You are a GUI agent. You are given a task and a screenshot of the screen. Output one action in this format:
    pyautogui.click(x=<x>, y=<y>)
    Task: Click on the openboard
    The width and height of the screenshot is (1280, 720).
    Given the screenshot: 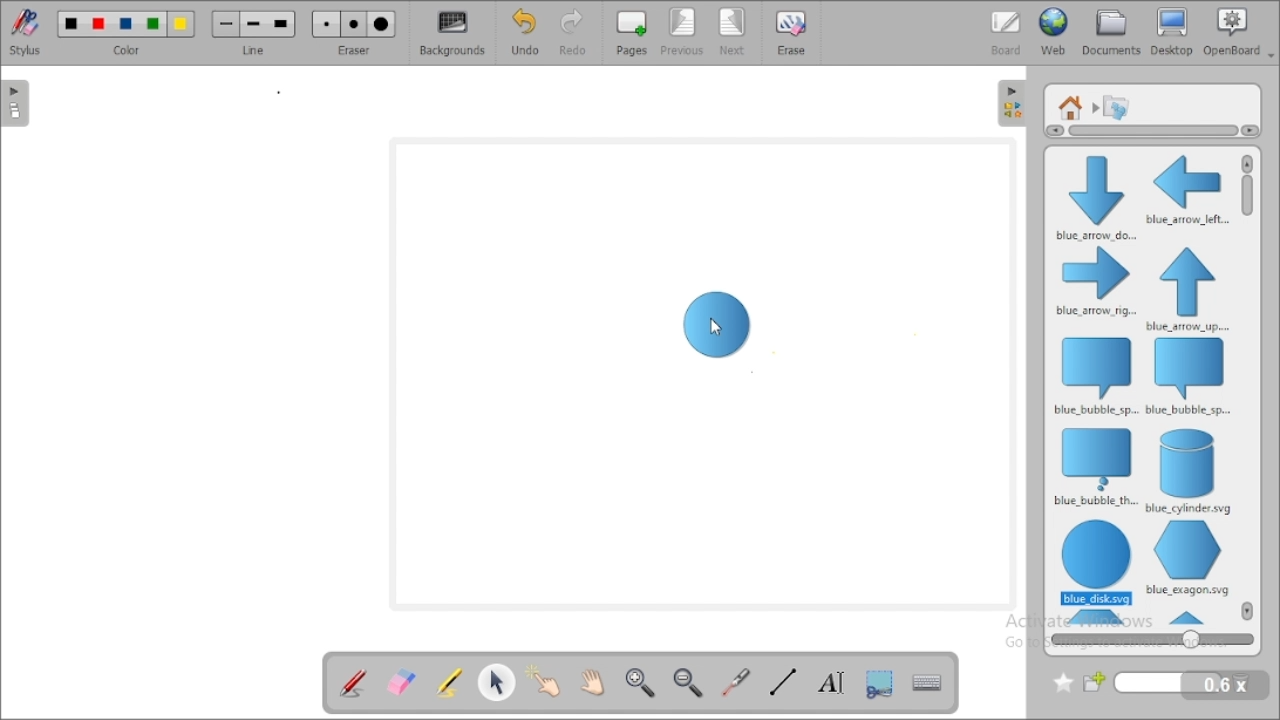 What is the action you would take?
    pyautogui.click(x=1239, y=32)
    